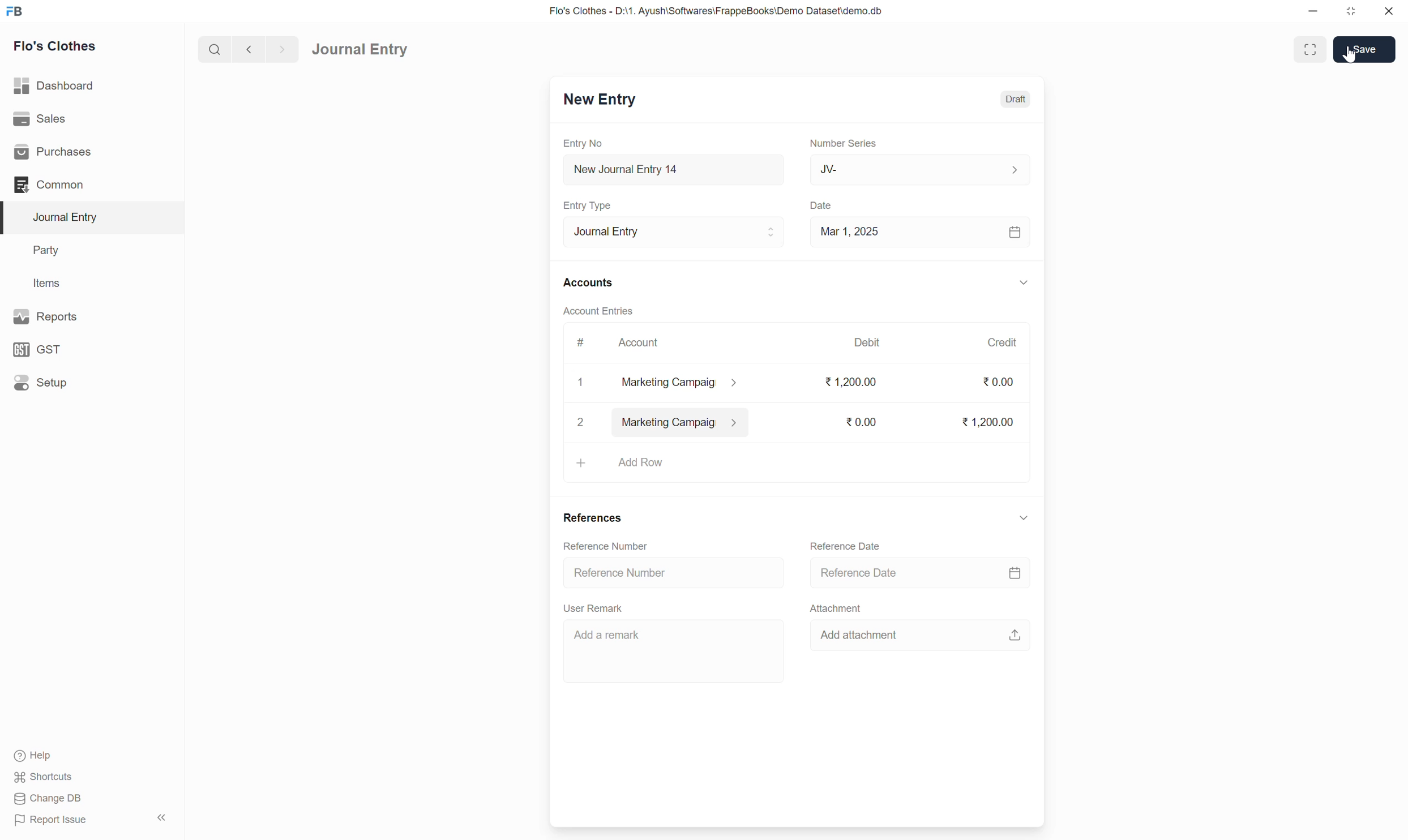  What do you see at coordinates (1349, 11) in the screenshot?
I see `resize` at bounding box center [1349, 11].